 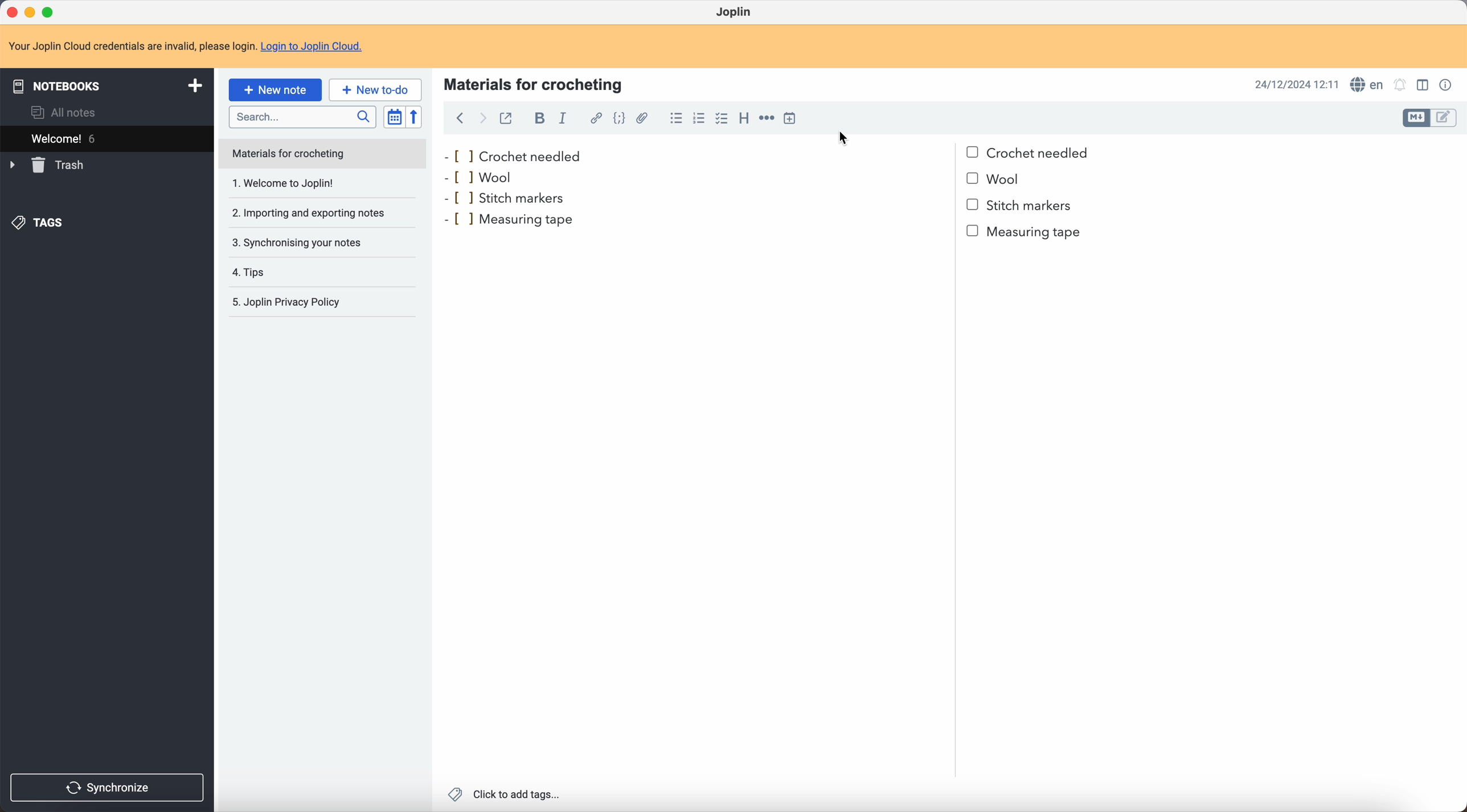 What do you see at coordinates (621, 119) in the screenshot?
I see `code` at bounding box center [621, 119].